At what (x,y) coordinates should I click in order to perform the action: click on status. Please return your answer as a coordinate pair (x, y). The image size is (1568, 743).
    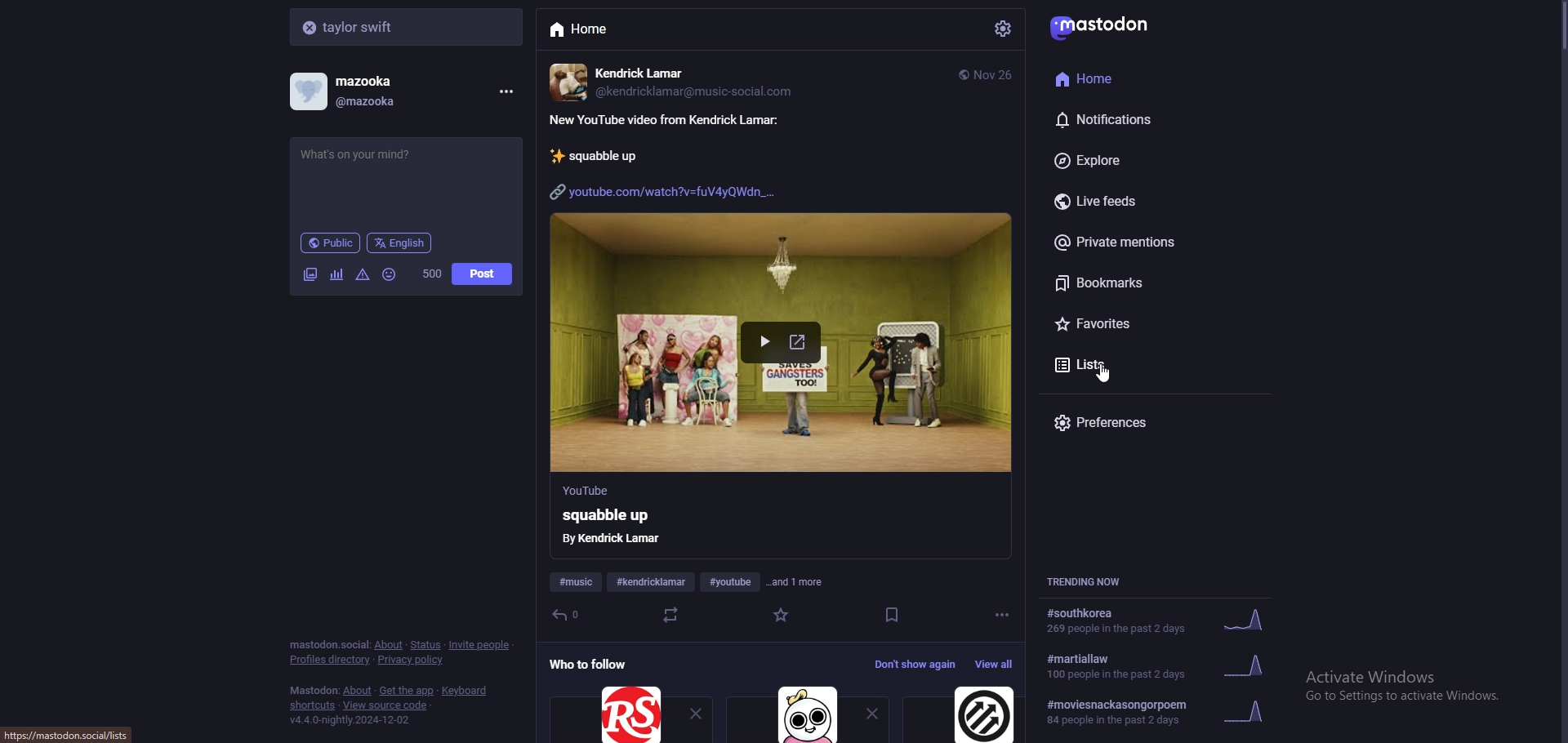
    Looking at the image, I should click on (425, 645).